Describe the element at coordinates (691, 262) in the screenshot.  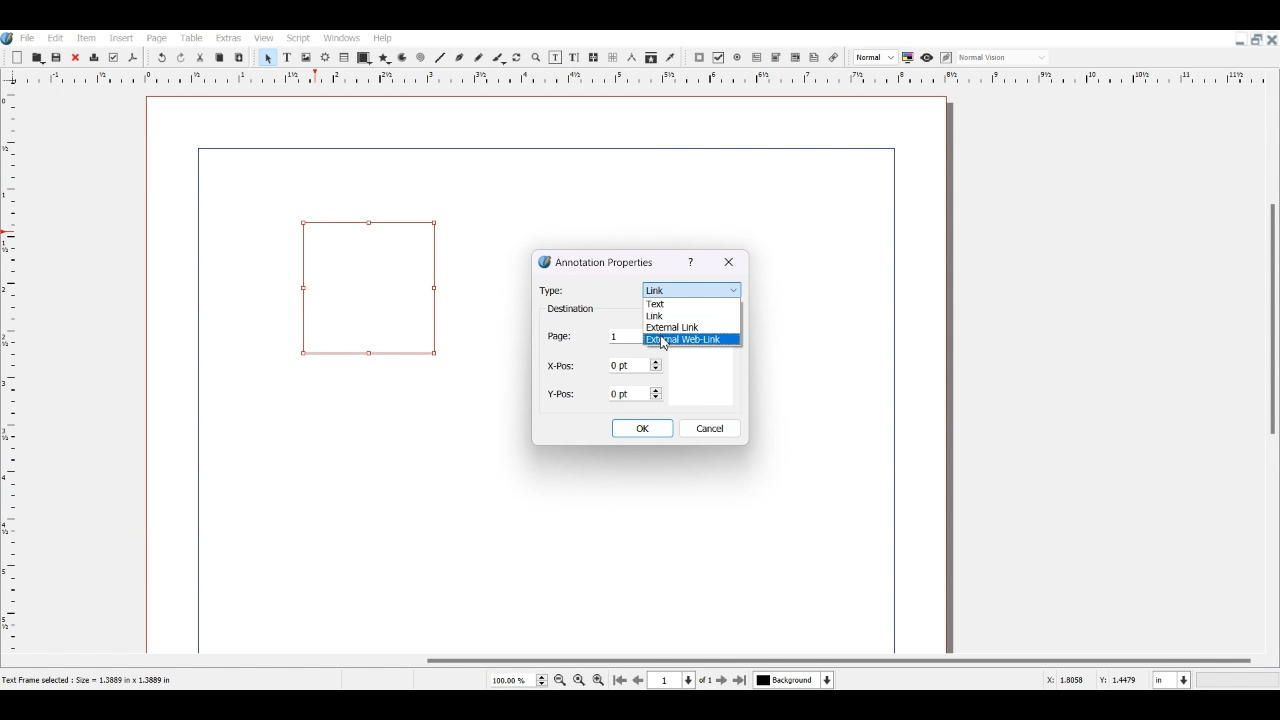
I see `Info` at that location.